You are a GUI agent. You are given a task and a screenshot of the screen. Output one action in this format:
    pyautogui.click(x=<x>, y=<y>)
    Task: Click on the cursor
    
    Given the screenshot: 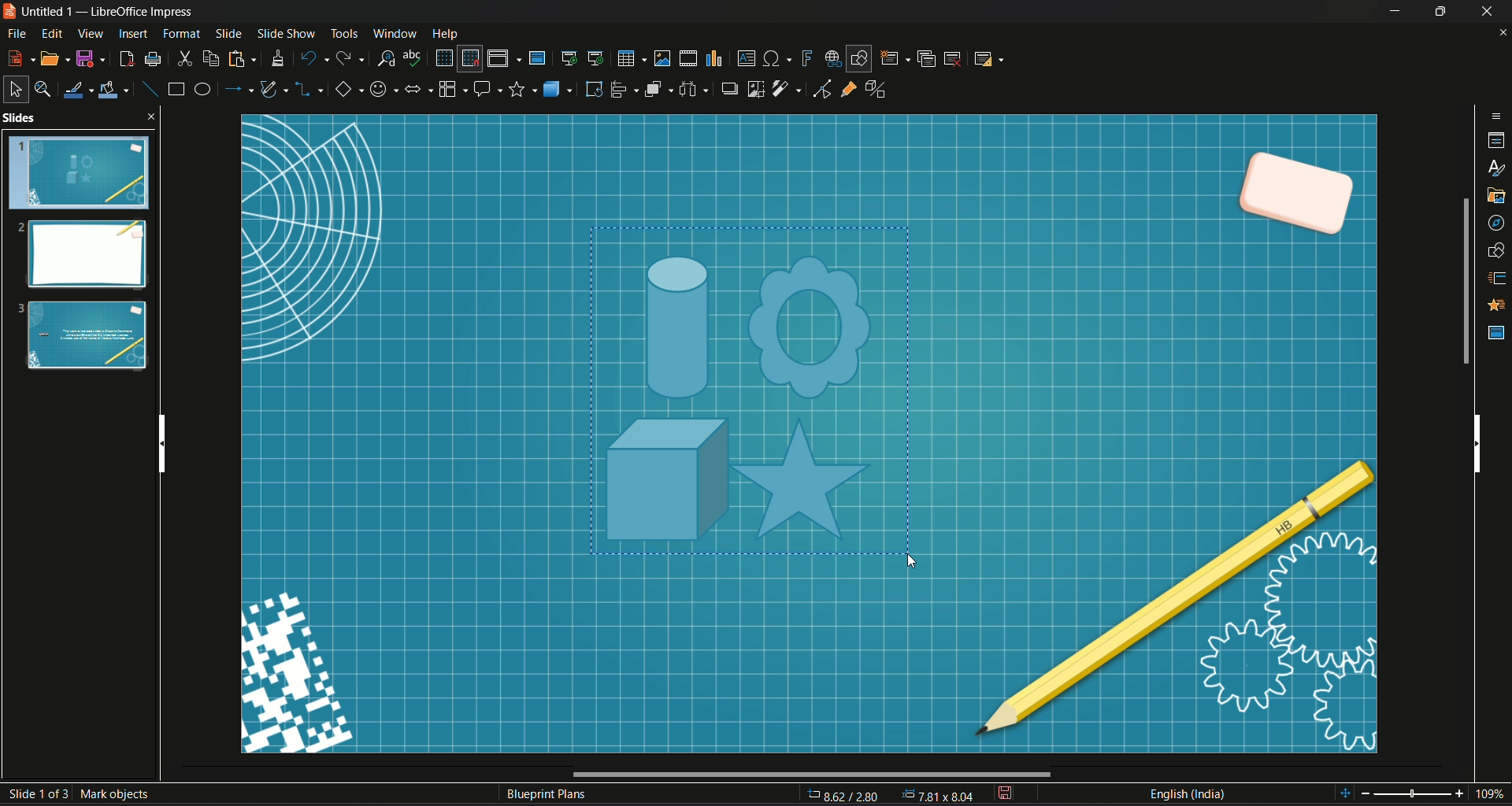 What is the action you would take?
    pyautogui.click(x=909, y=560)
    